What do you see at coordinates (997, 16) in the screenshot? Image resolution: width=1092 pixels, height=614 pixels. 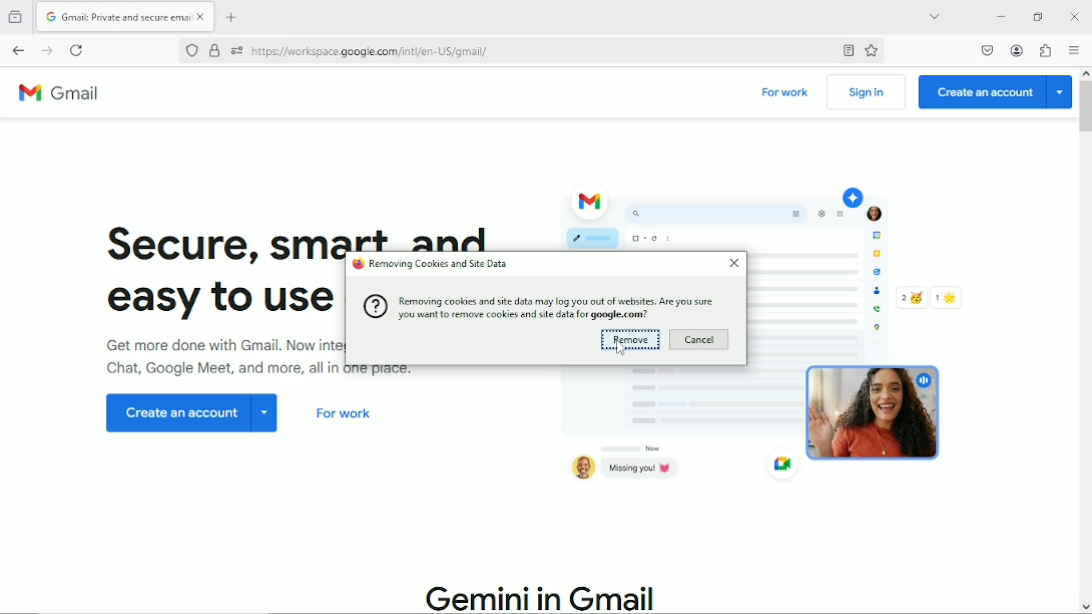 I see `Minimize` at bounding box center [997, 16].